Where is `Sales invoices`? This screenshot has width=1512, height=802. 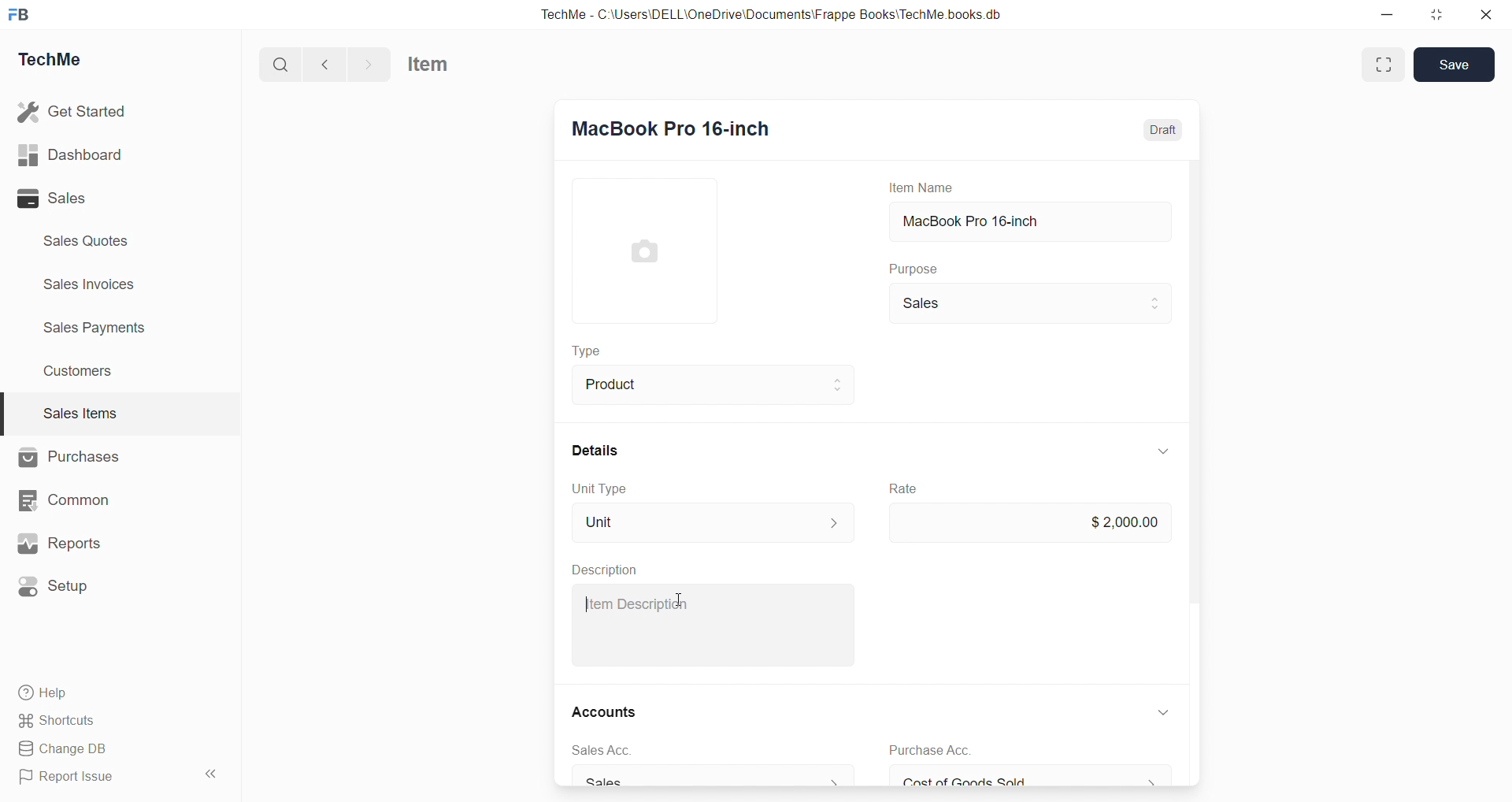
Sales invoices is located at coordinates (92, 284).